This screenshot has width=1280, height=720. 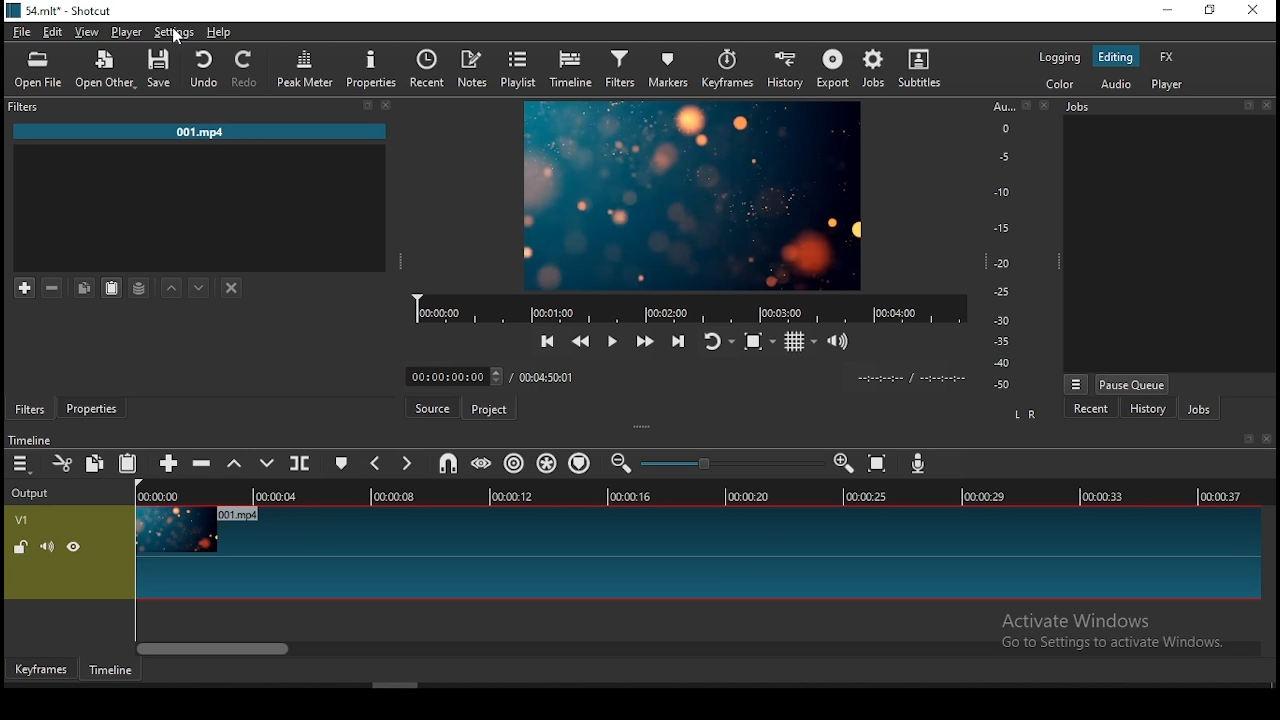 I want to click on output, so click(x=33, y=494).